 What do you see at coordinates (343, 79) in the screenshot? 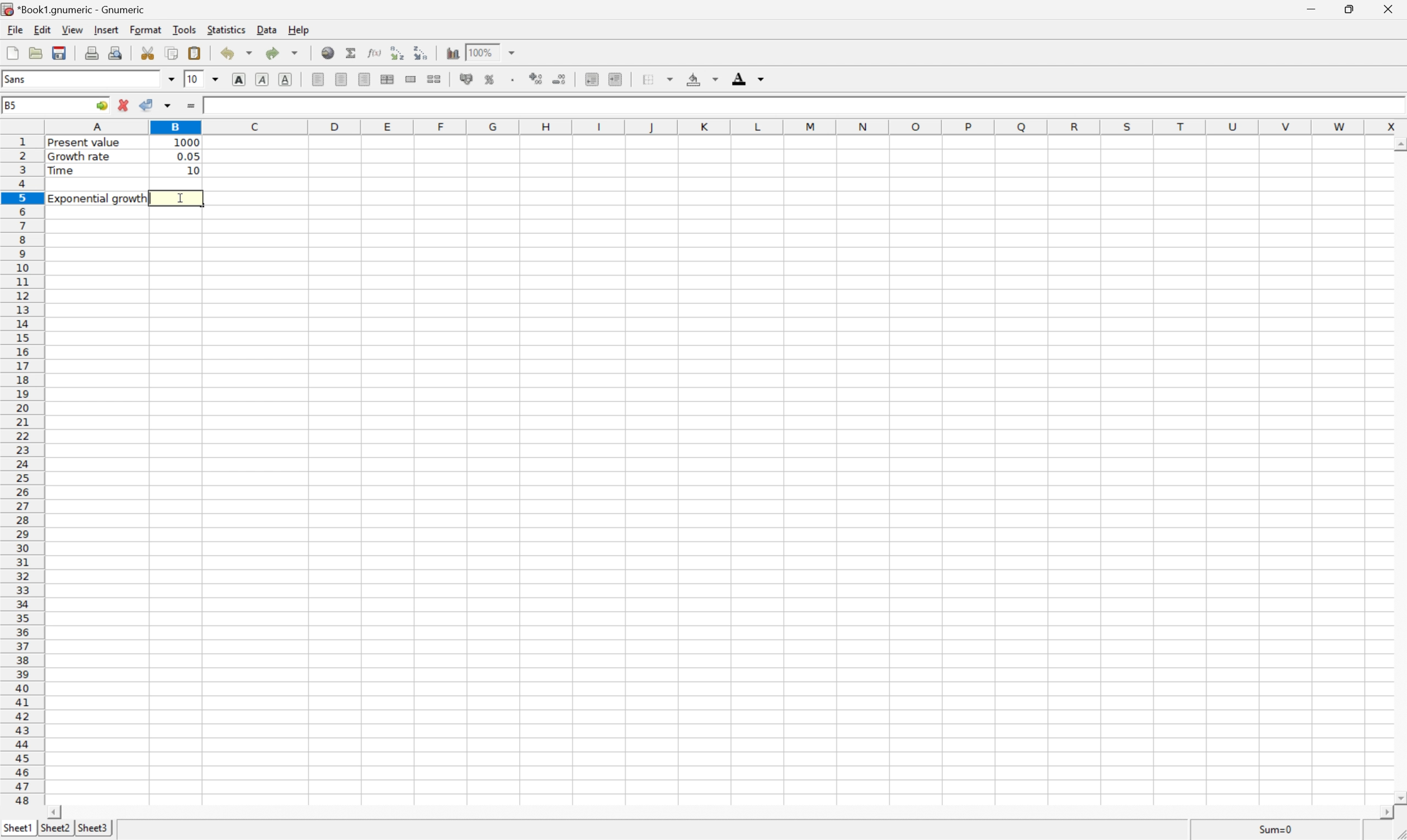
I see `Center horizontally` at bounding box center [343, 79].